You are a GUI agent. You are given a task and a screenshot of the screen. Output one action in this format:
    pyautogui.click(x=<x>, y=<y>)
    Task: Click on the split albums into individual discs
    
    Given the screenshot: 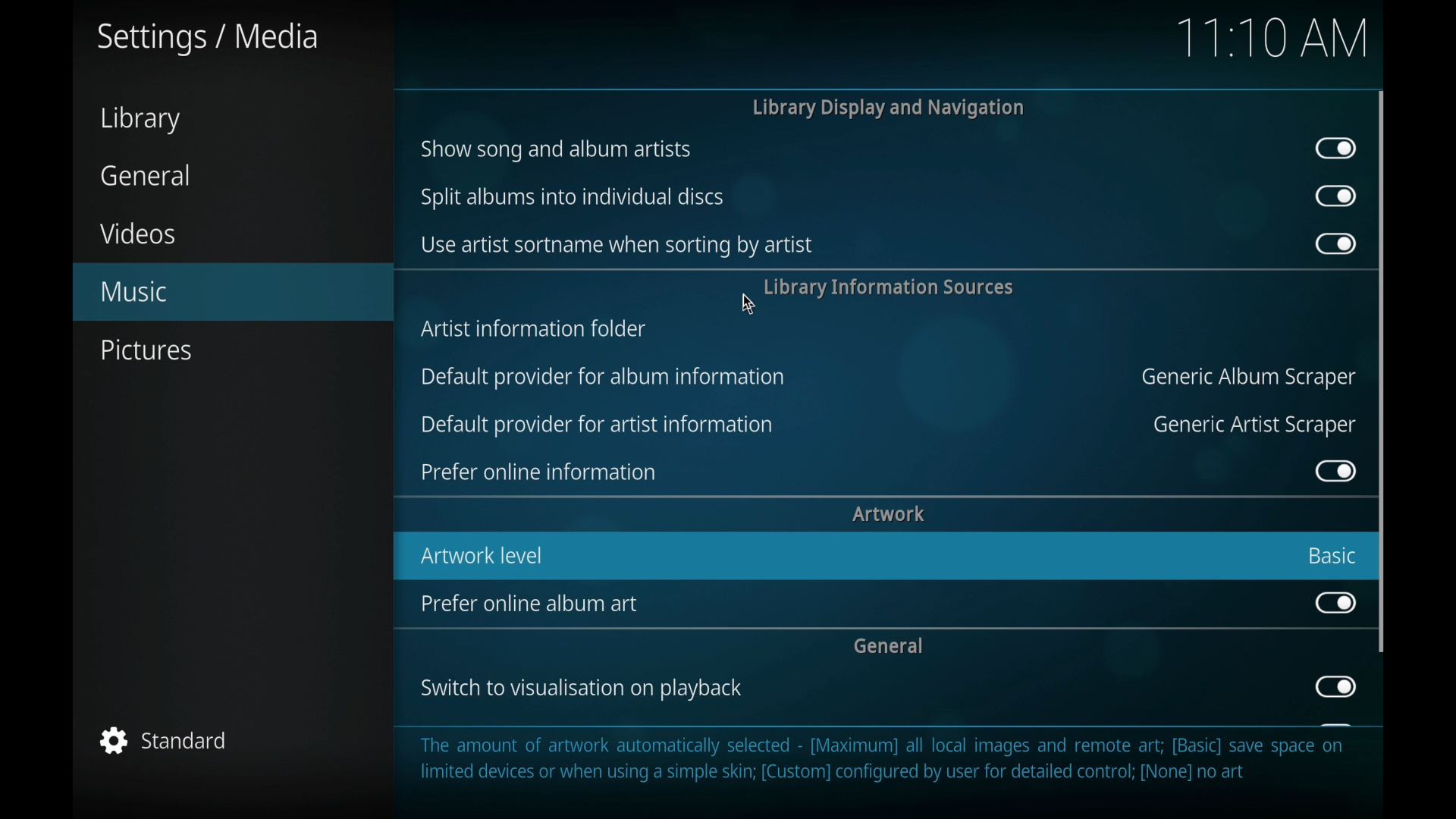 What is the action you would take?
    pyautogui.click(x=573, y=198)
    